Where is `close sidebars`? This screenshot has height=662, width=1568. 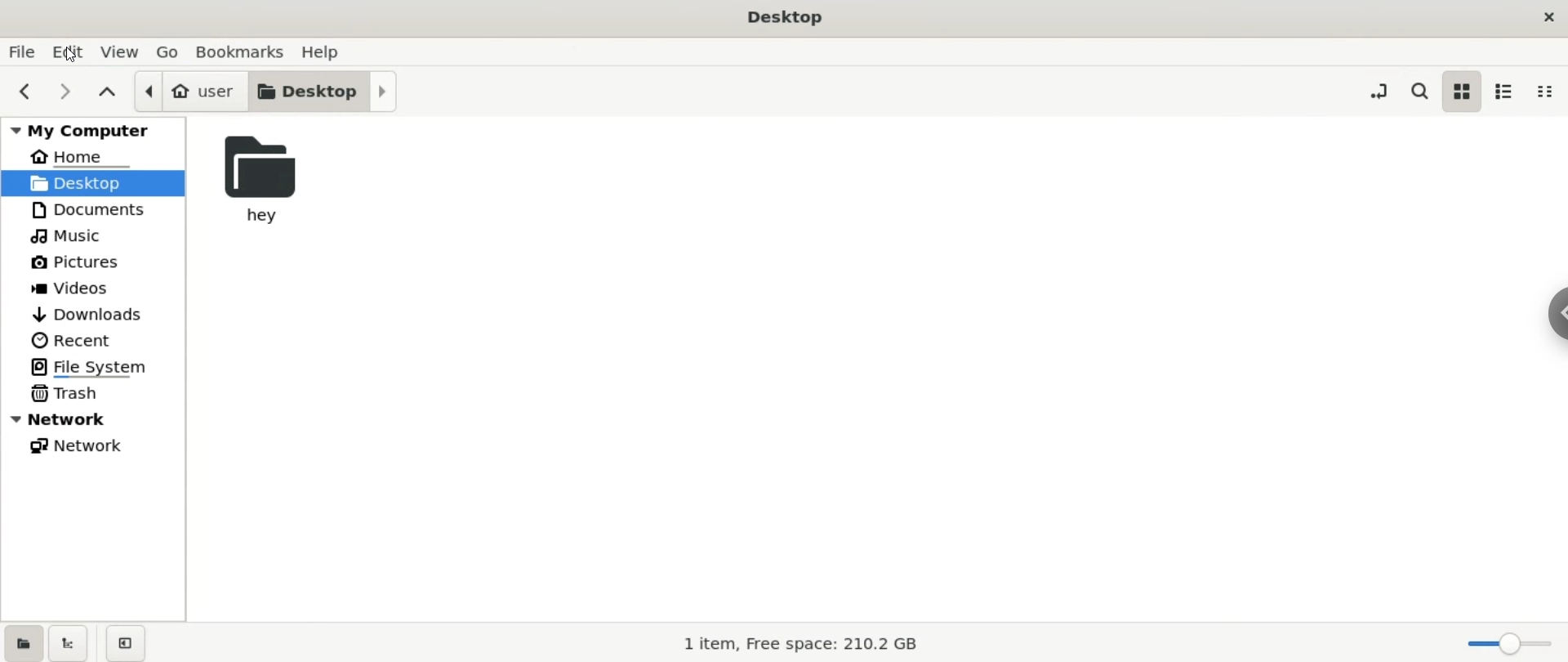 close sidebars is located at coordinates (123, 642).